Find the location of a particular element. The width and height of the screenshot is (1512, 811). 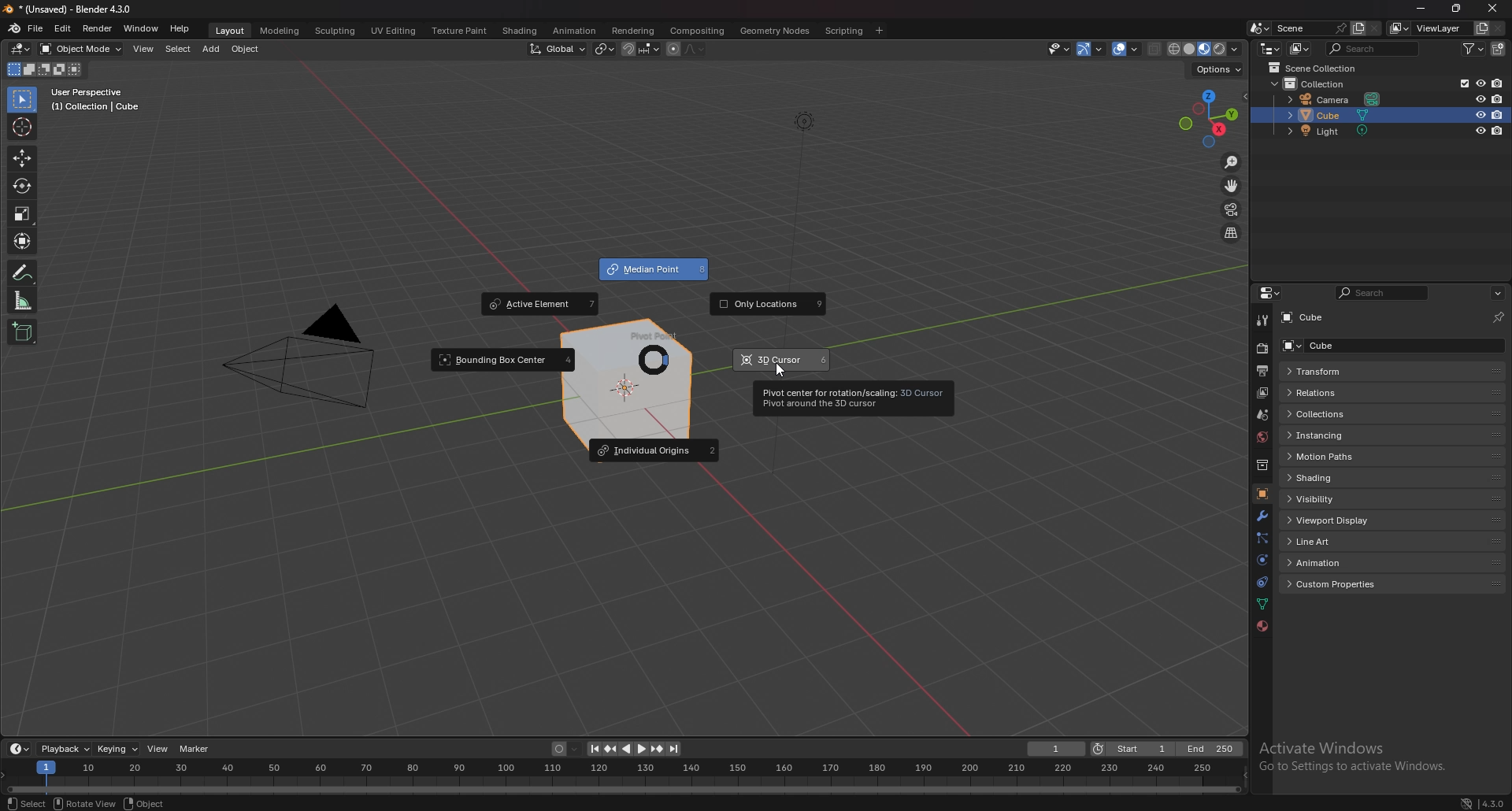

add scene is located at coordinates (1358, 28).